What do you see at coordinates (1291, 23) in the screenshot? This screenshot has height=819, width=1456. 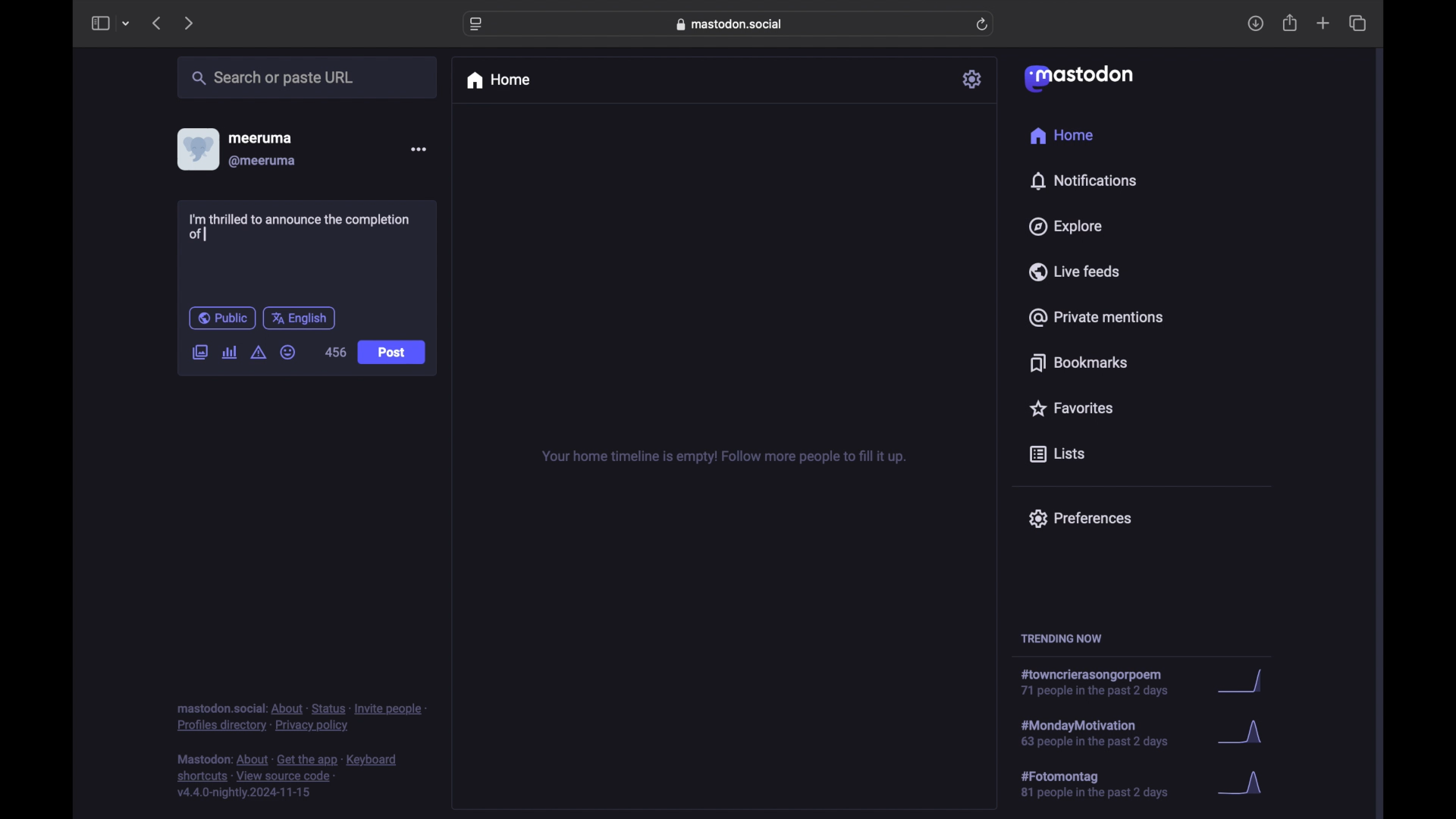 I see `share` at bounding box center [1291, 23].